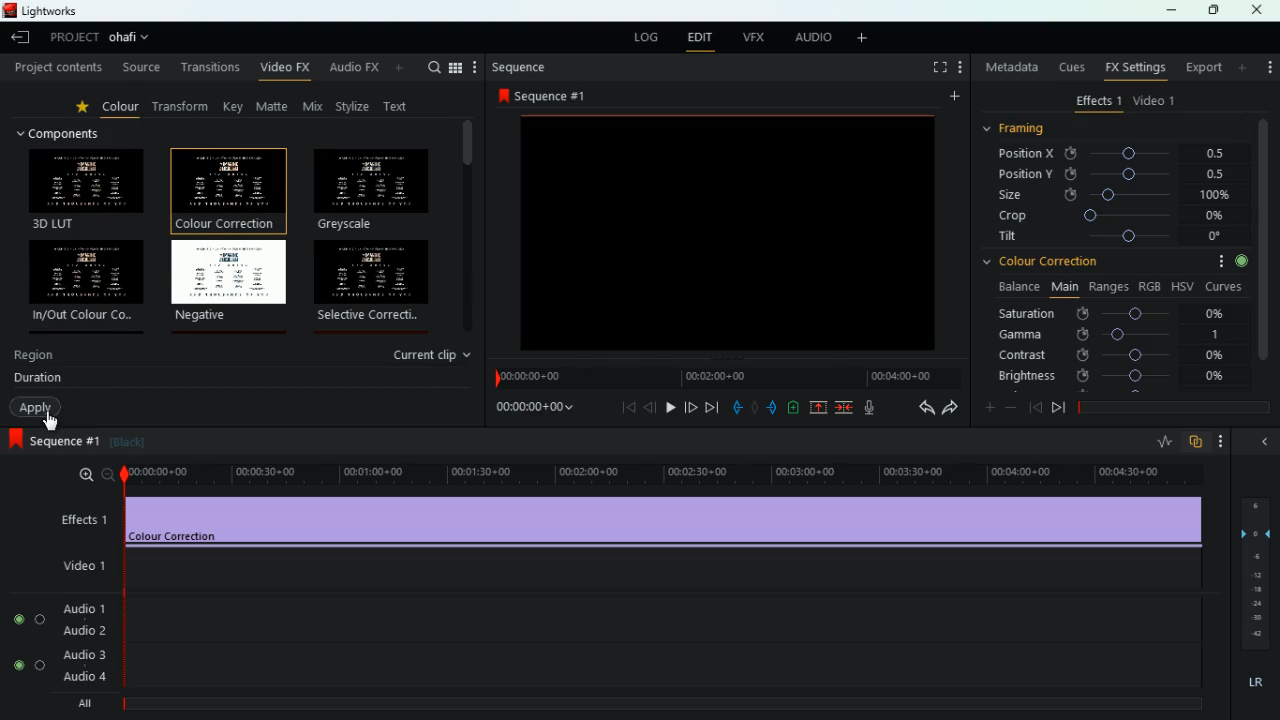  Describe the element at coordinates (88, 280) in the screenshot. I see `in/out colour` at that location.